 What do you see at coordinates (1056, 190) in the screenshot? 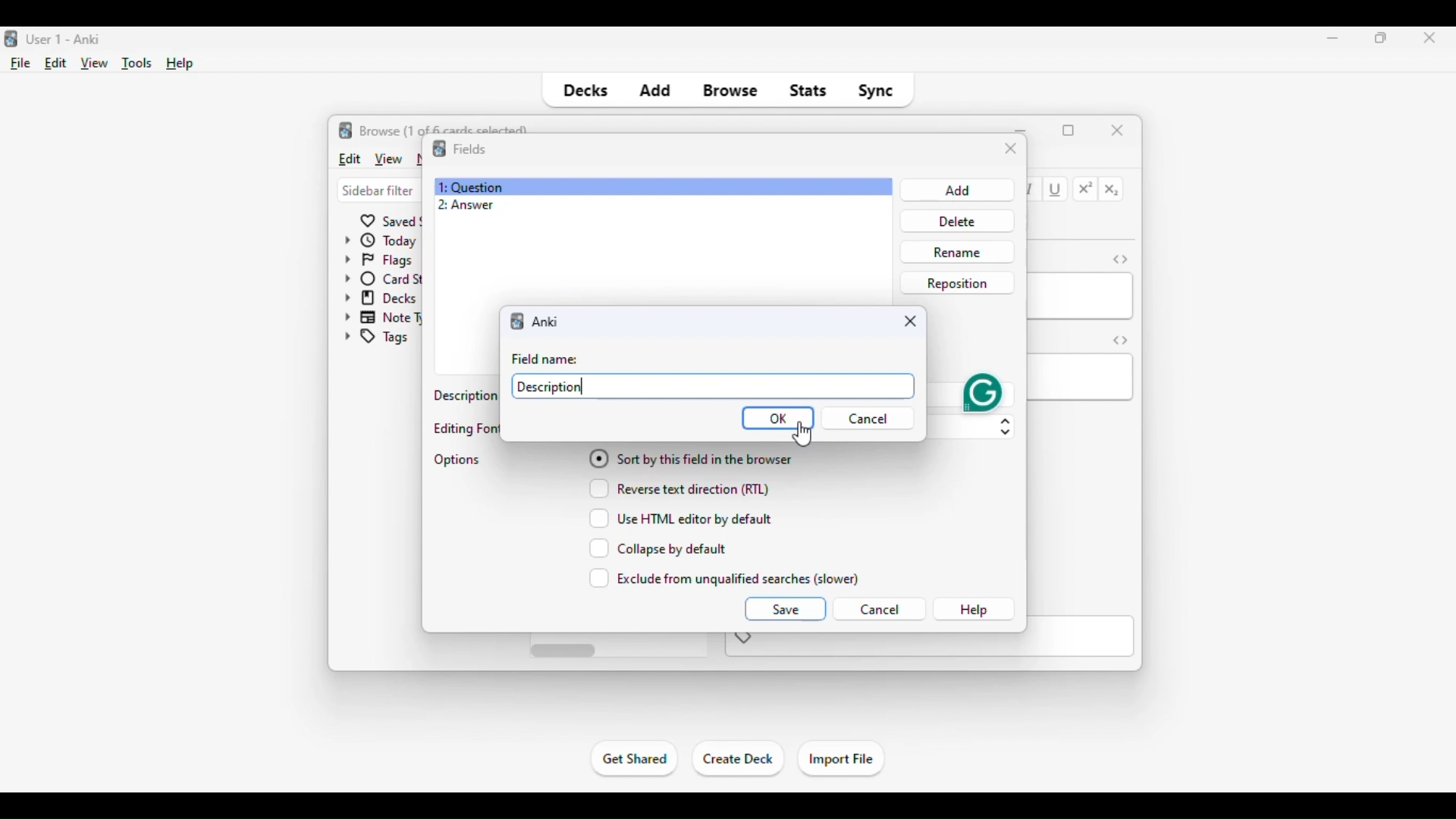
I see `underline` at bounding box center [1056, 190].